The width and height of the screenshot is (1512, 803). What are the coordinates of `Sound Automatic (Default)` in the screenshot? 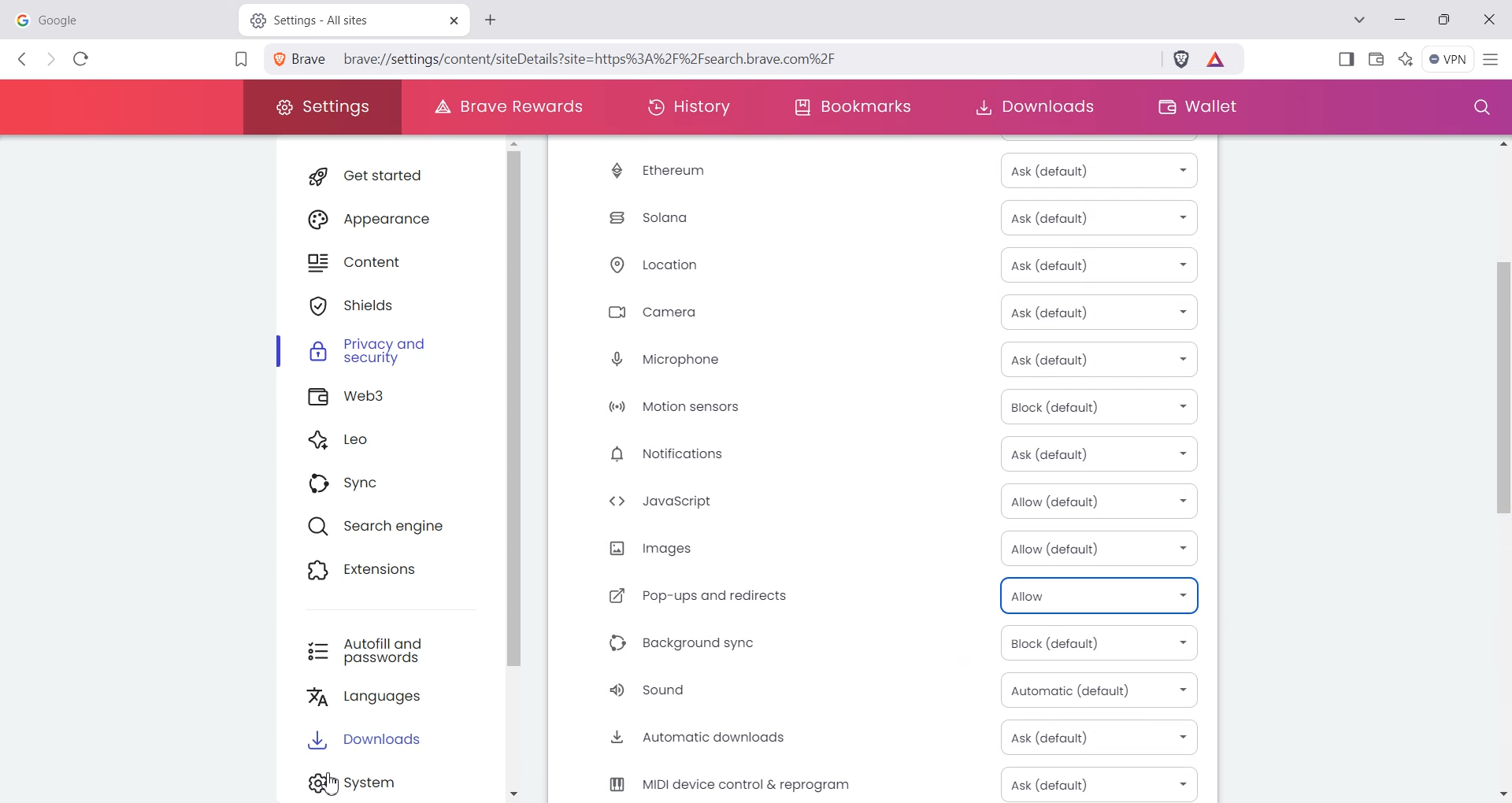 It's located at (885, 690).